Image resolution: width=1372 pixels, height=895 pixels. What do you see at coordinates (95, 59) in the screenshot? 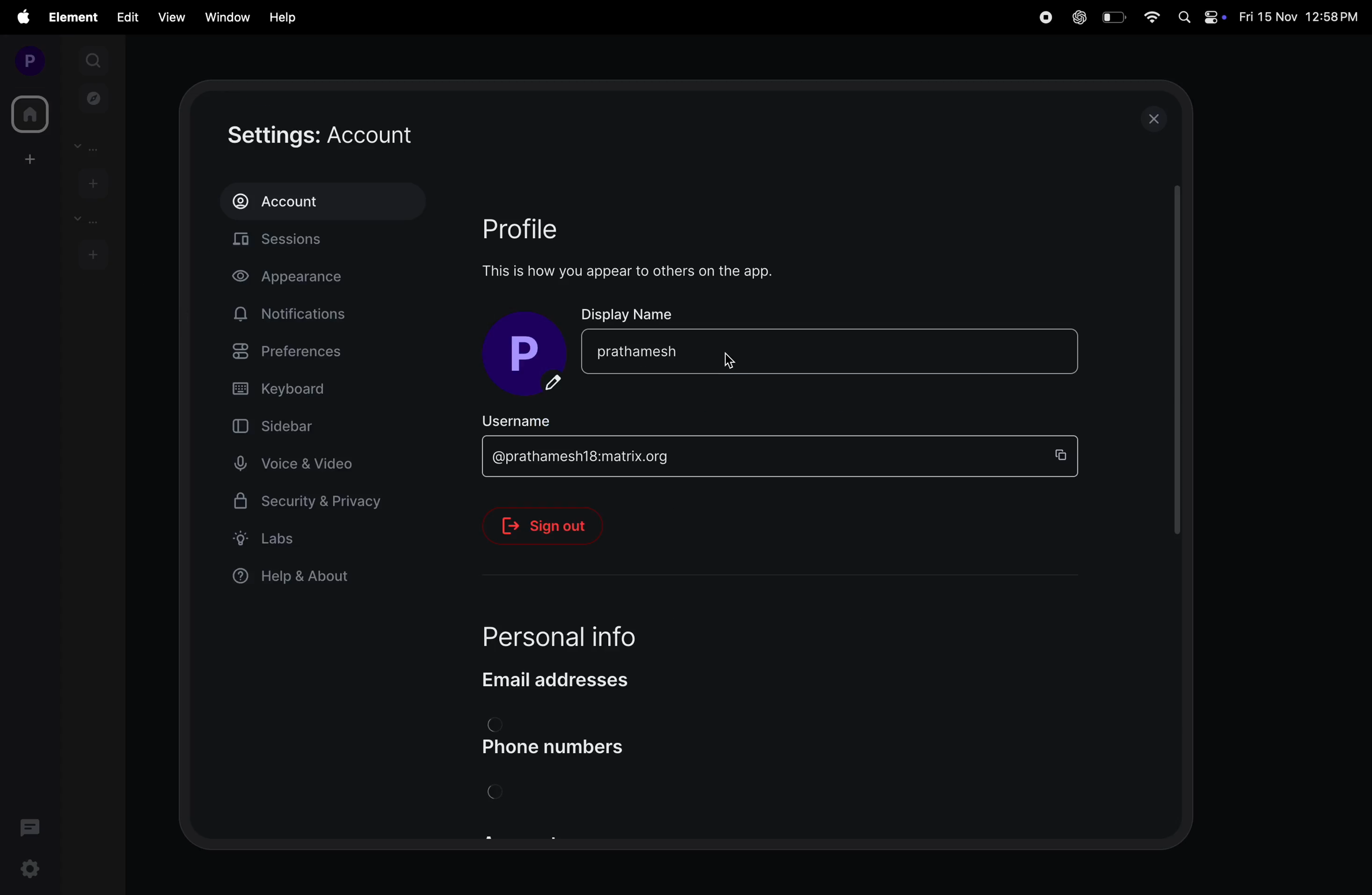
I see `search1` at bounding box center [95, 59].